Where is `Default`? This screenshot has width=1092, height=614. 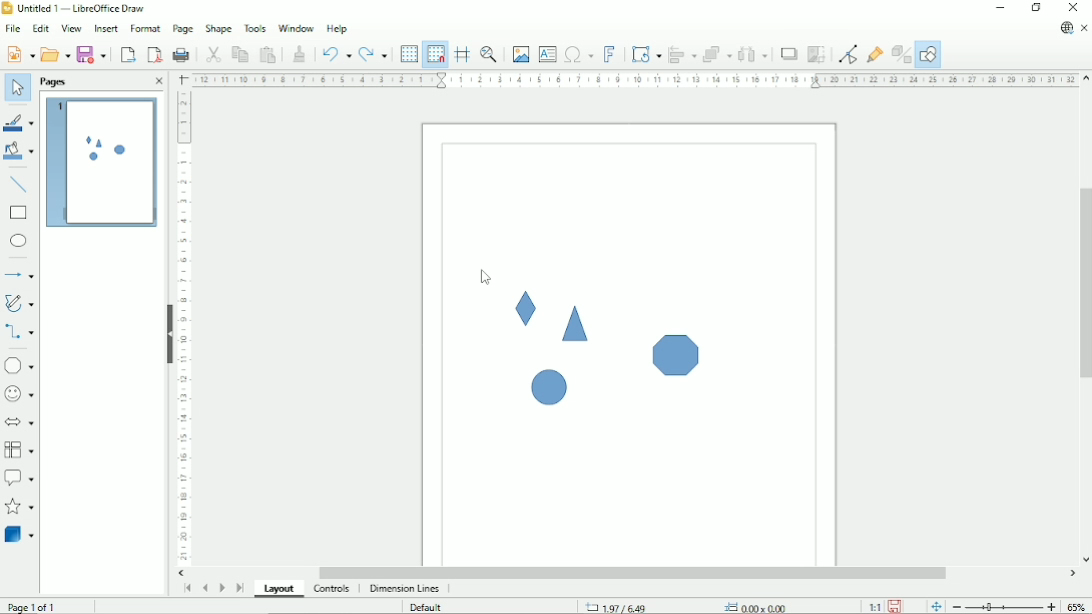
Default is located at coordinates (429, 606).